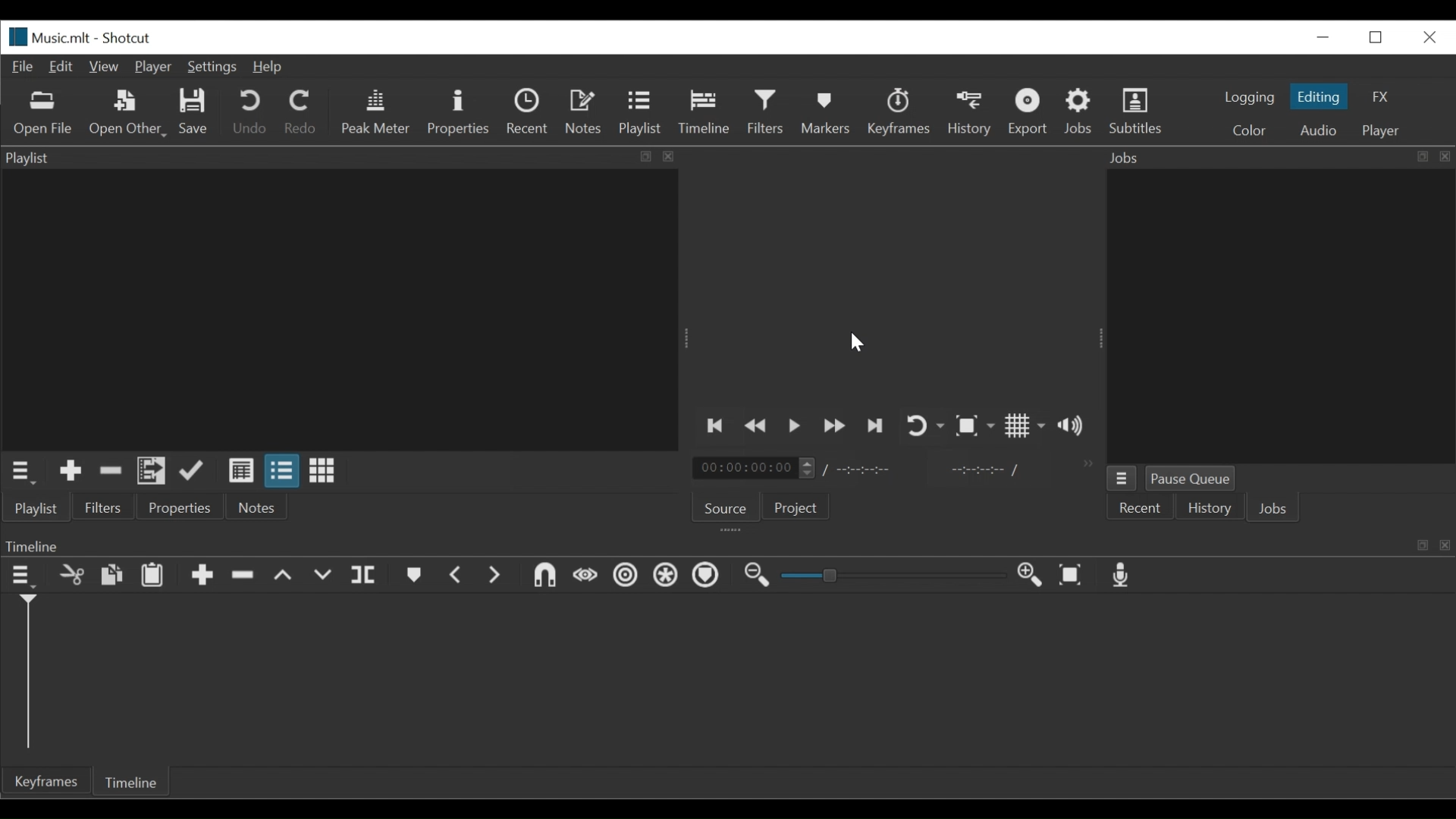 This screenshot has width=1456, height=819. Describe the element at coordinates (1319, 130) in the screenshot. I see `Audio` at that location.